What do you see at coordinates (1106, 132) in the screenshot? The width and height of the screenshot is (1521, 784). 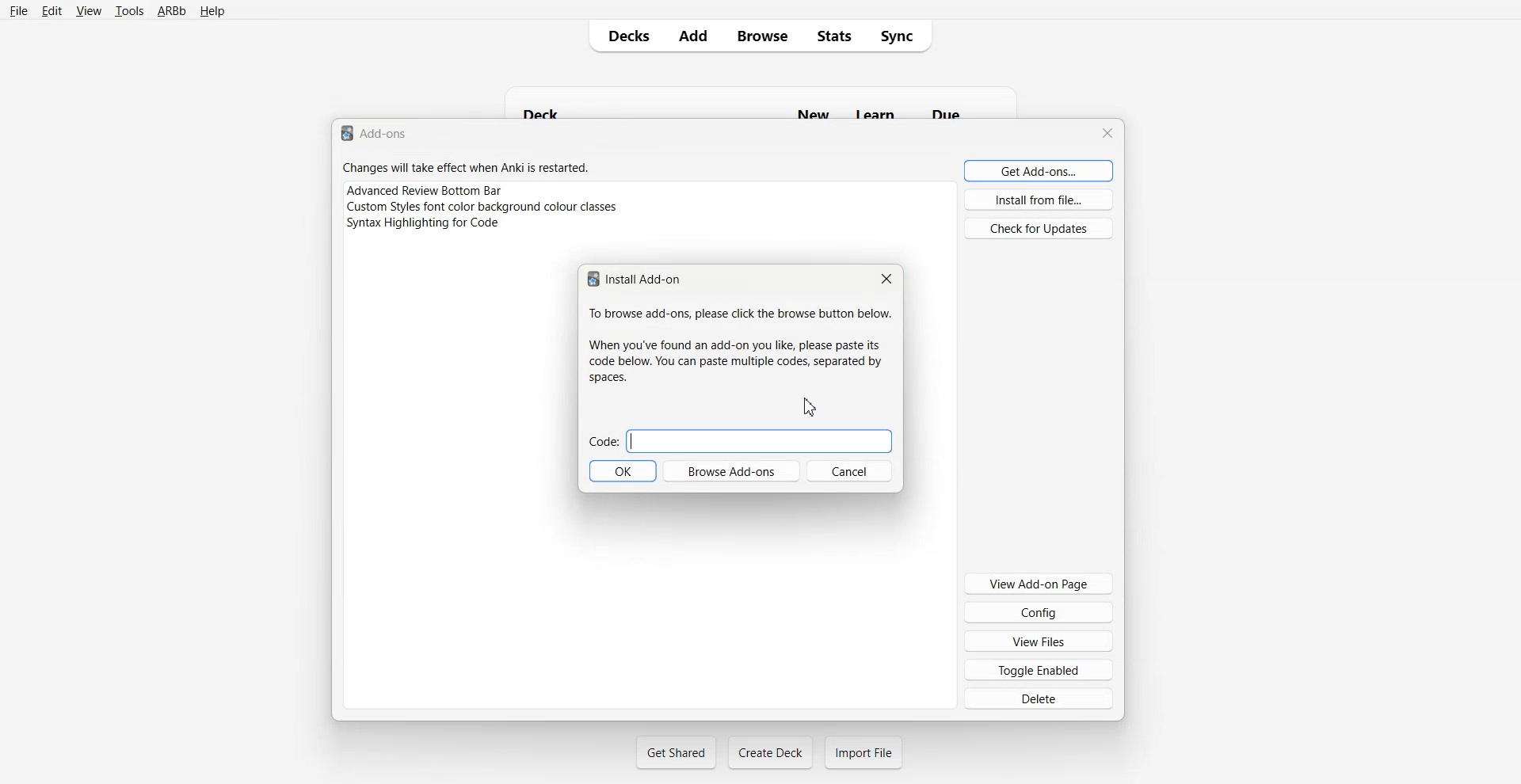 I see `Close` at bounding box center [1106, 132].